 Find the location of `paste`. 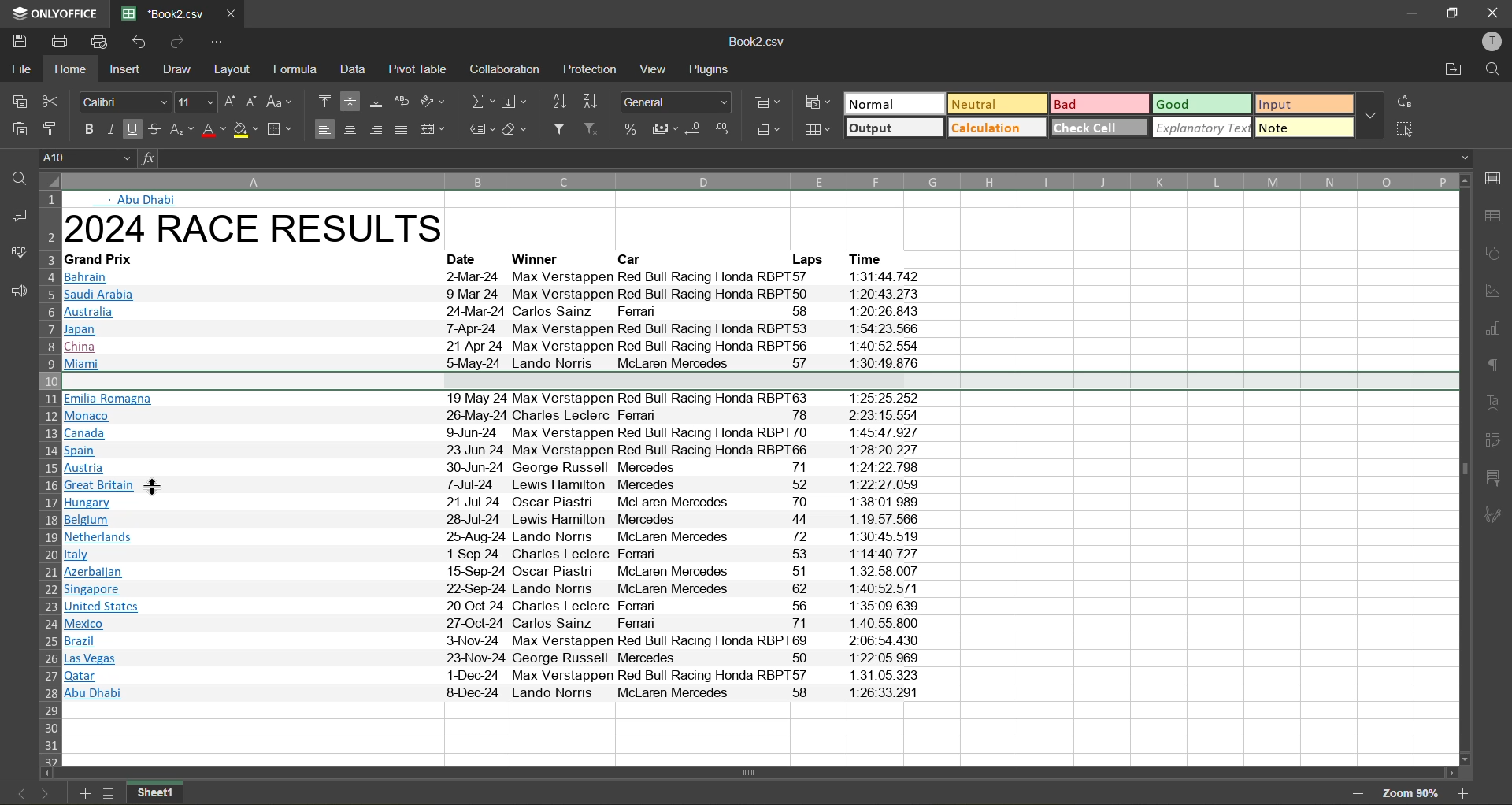

paste is located at coordinates (16, 131).